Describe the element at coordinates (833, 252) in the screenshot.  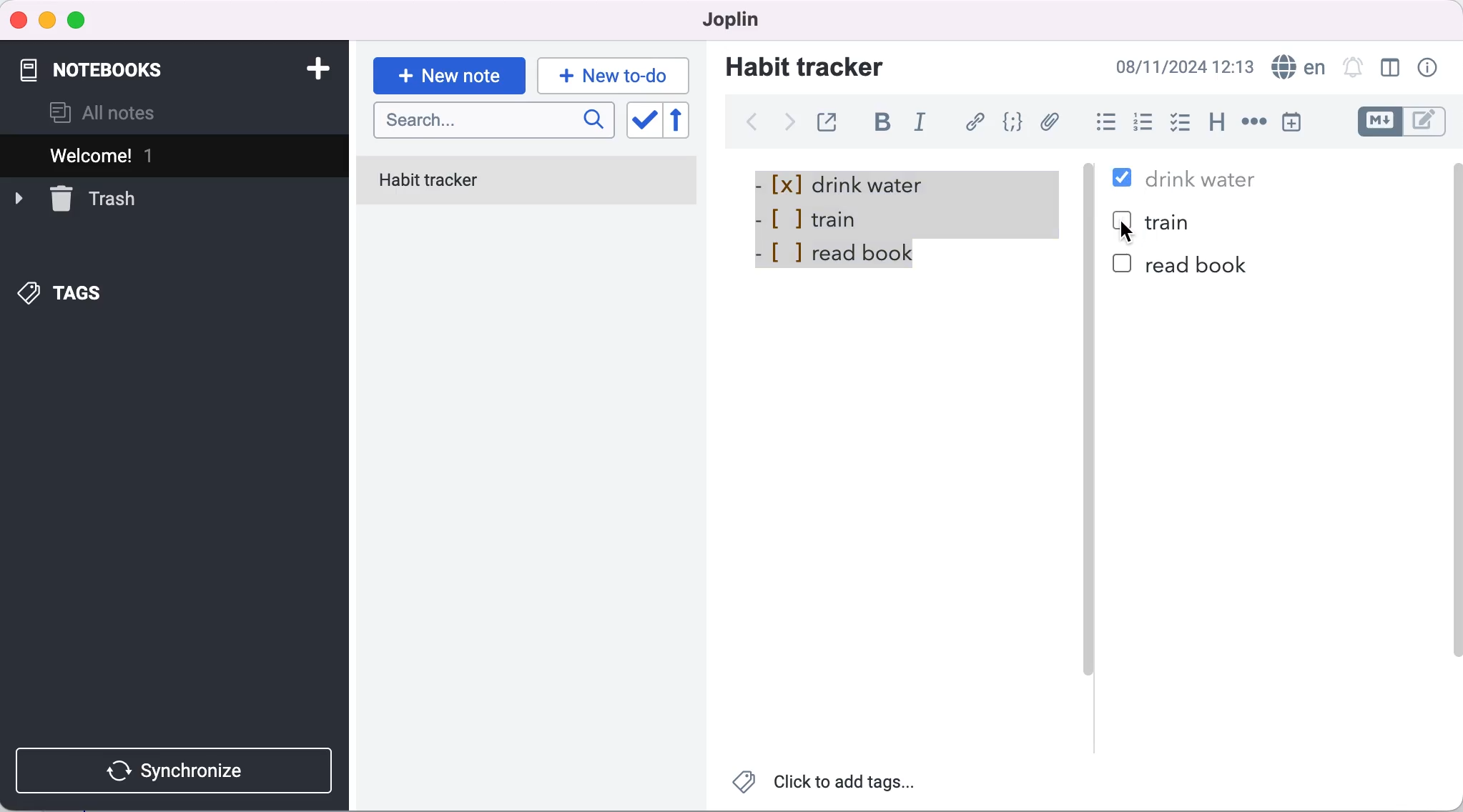
I see `- [ ] read book` at that location.